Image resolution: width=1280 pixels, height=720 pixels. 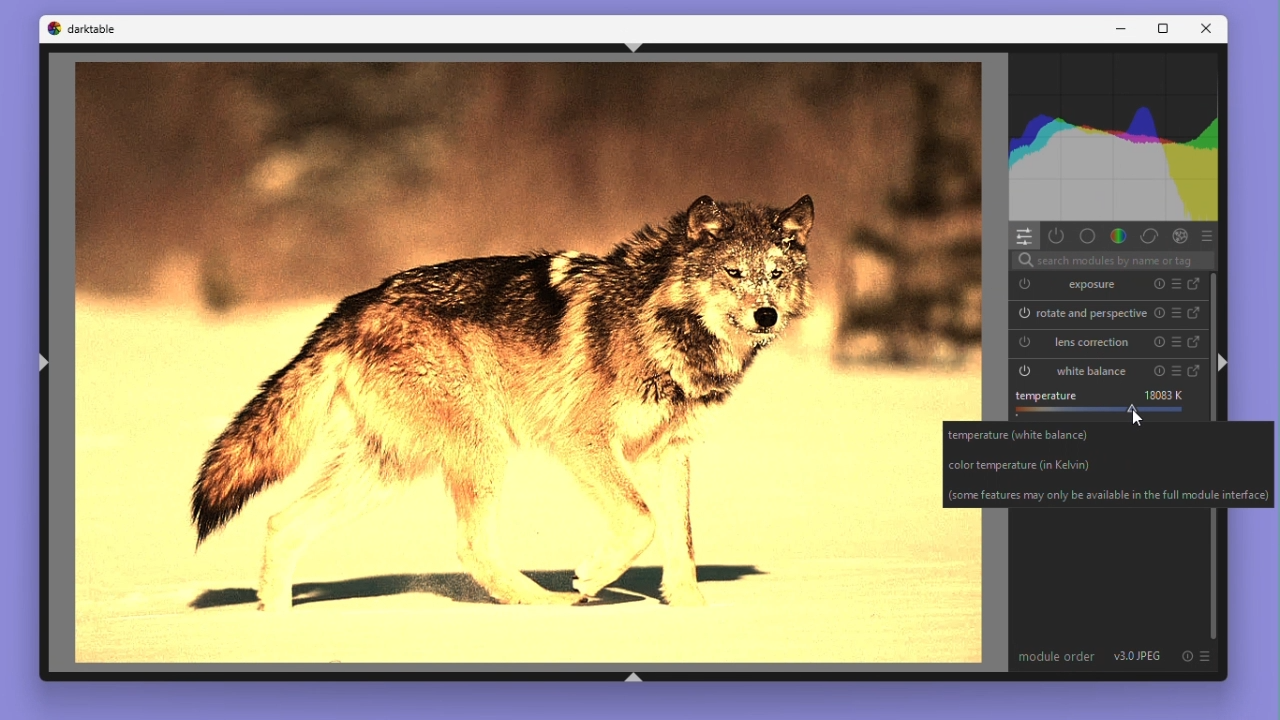 What do you see at coordinates (525, 356) in the screenshot?
I see `image edited` at bounding box center [525, 356].